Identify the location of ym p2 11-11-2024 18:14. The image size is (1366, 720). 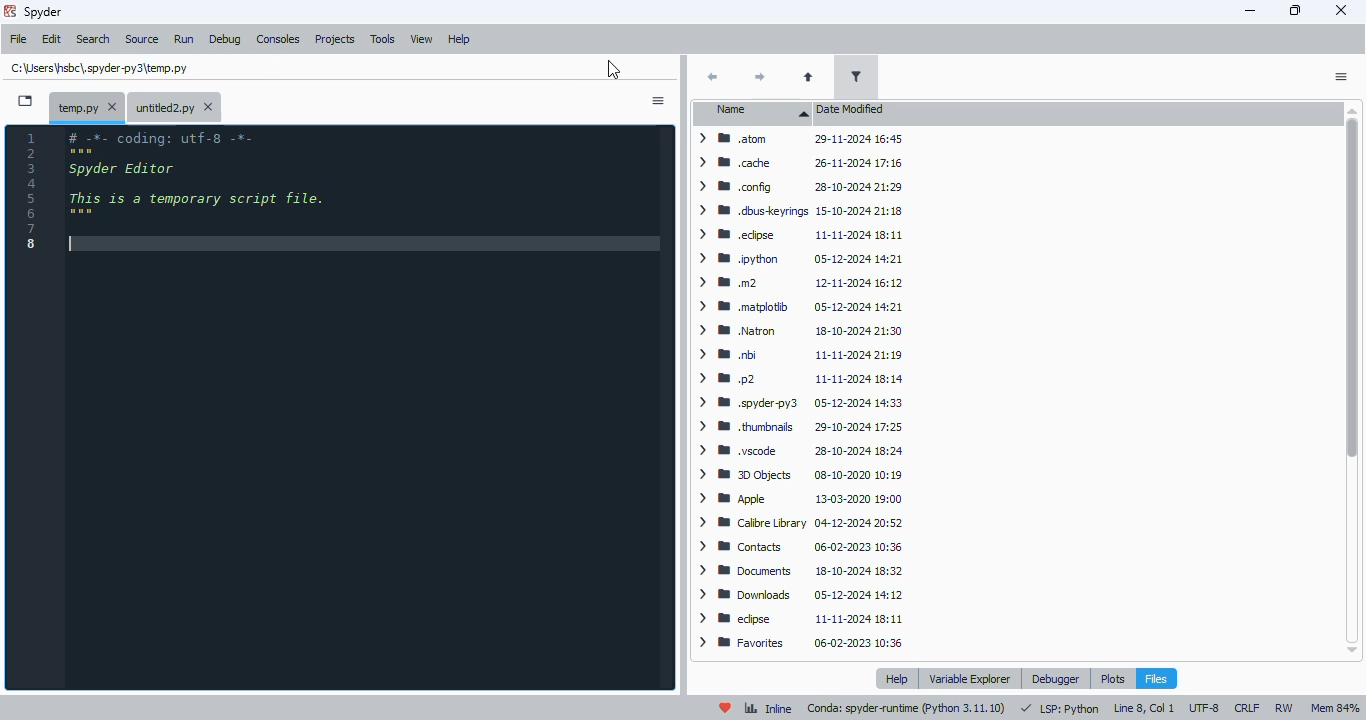
(796, 376).